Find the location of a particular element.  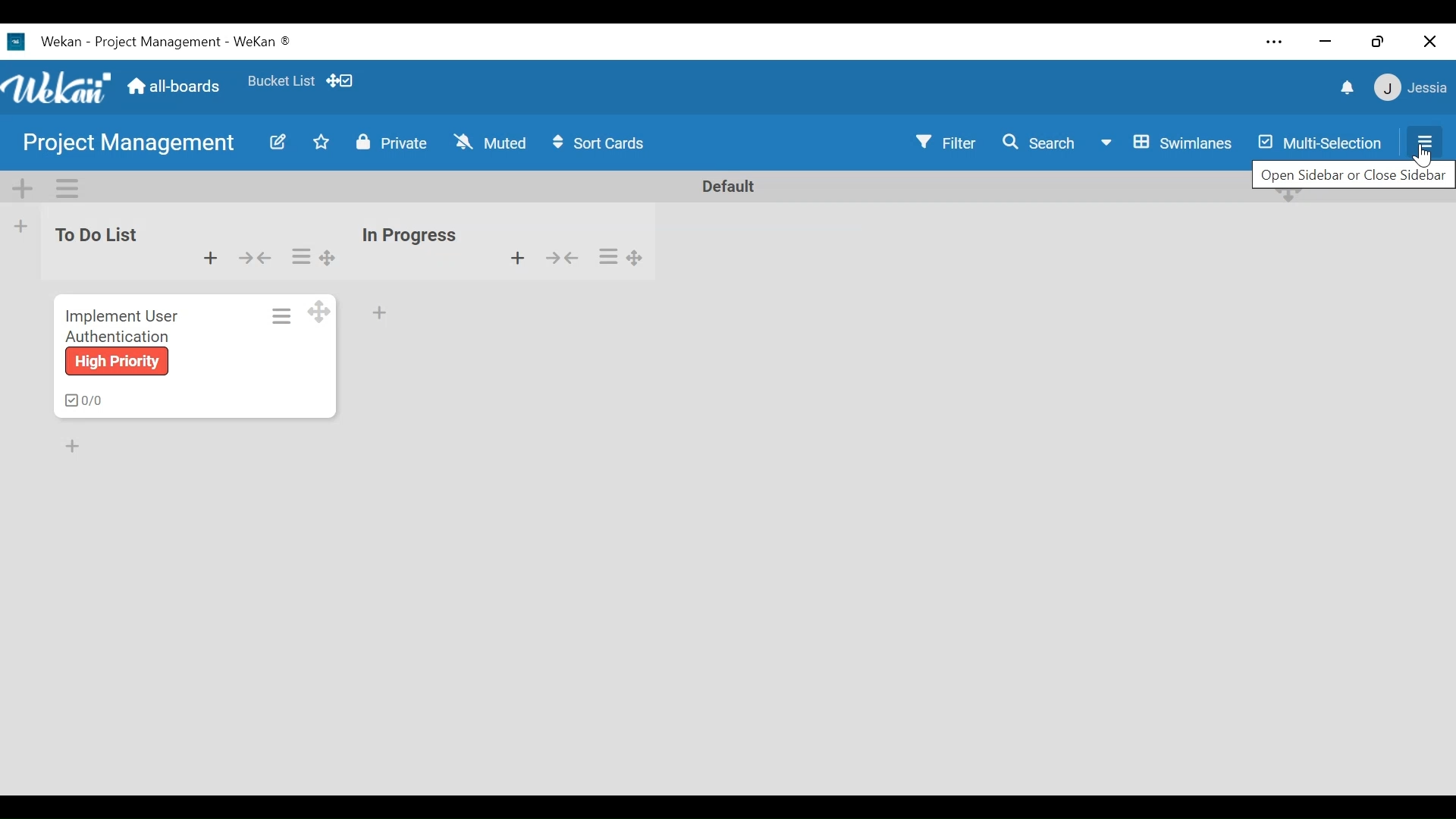

Add card Bottom of the list is located at coordinates (378, 310).